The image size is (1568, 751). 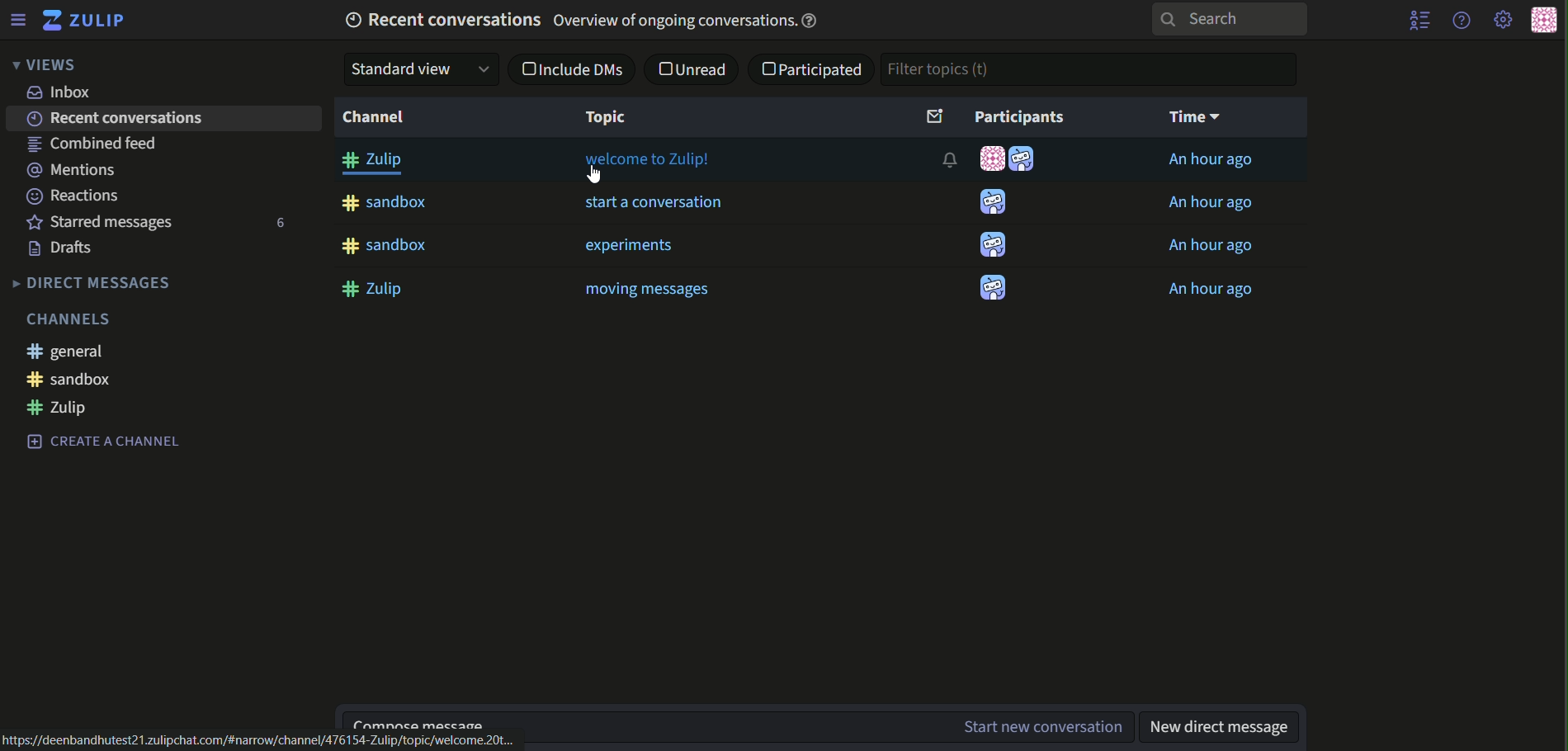 I want to click on text, so click(x=1222, y=725).